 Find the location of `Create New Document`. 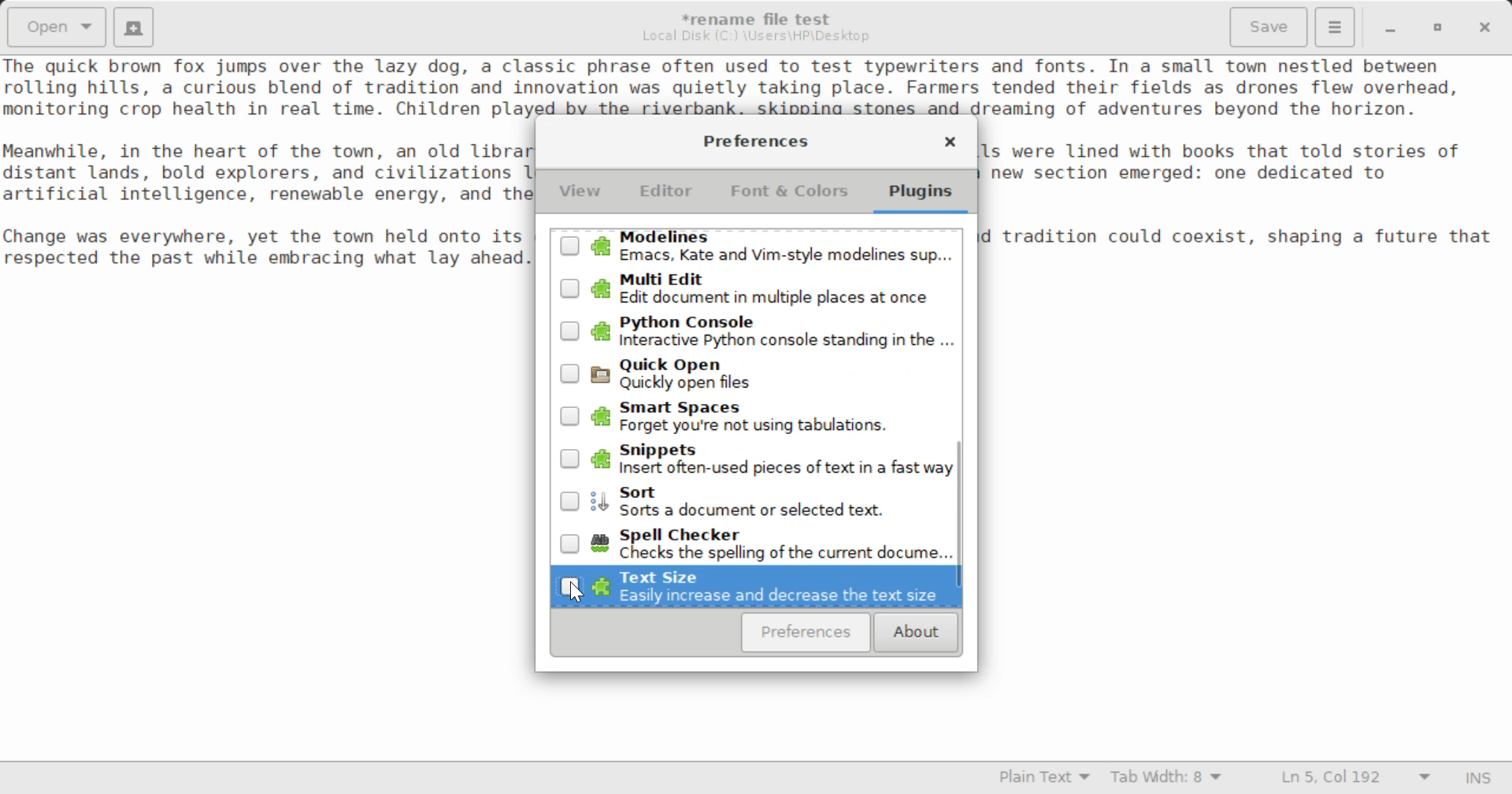

Create New Document is located at coordinates (132, 25).